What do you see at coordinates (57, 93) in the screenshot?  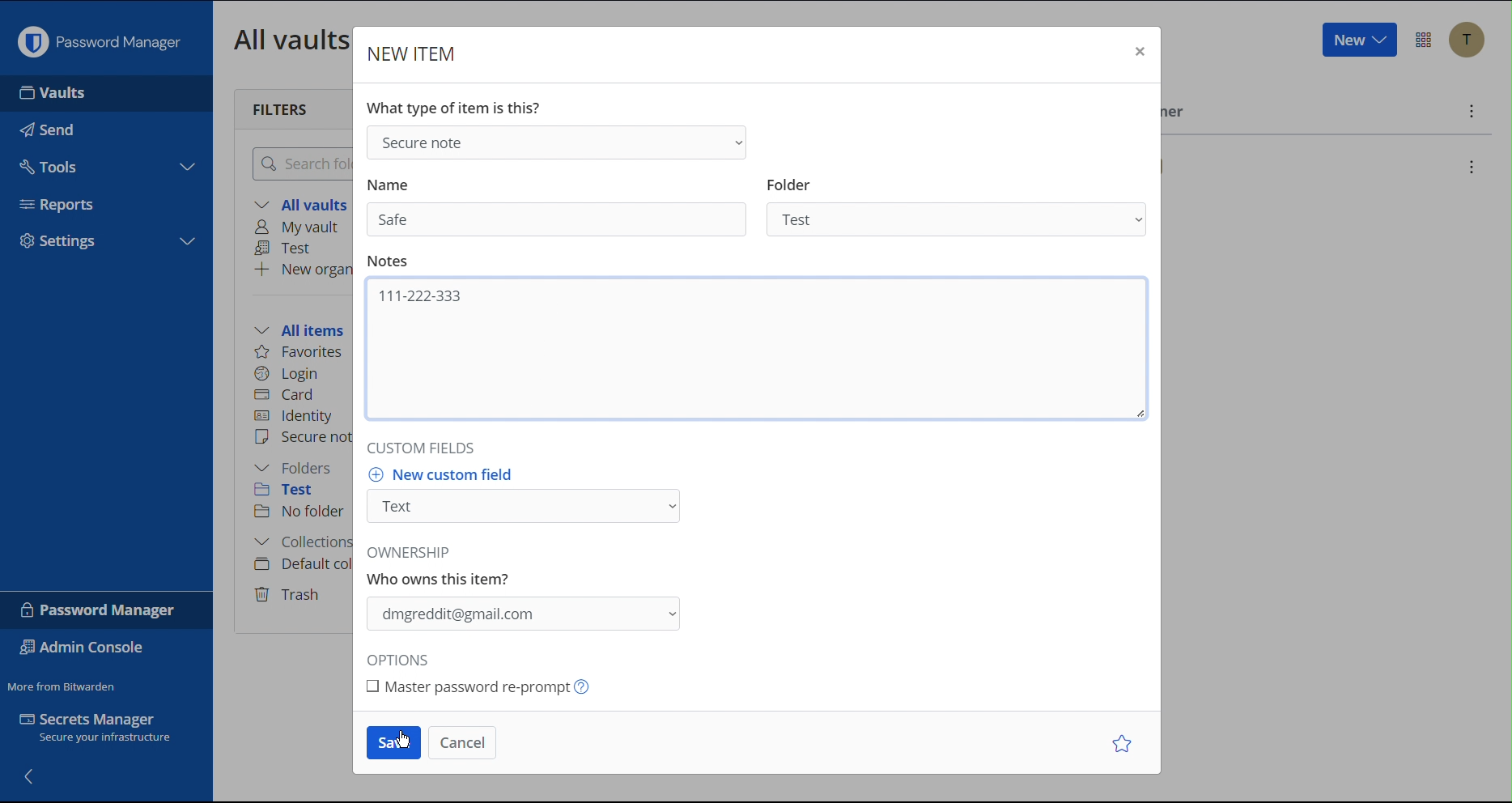 I see `Vaults` at bounding box center [57, 93].